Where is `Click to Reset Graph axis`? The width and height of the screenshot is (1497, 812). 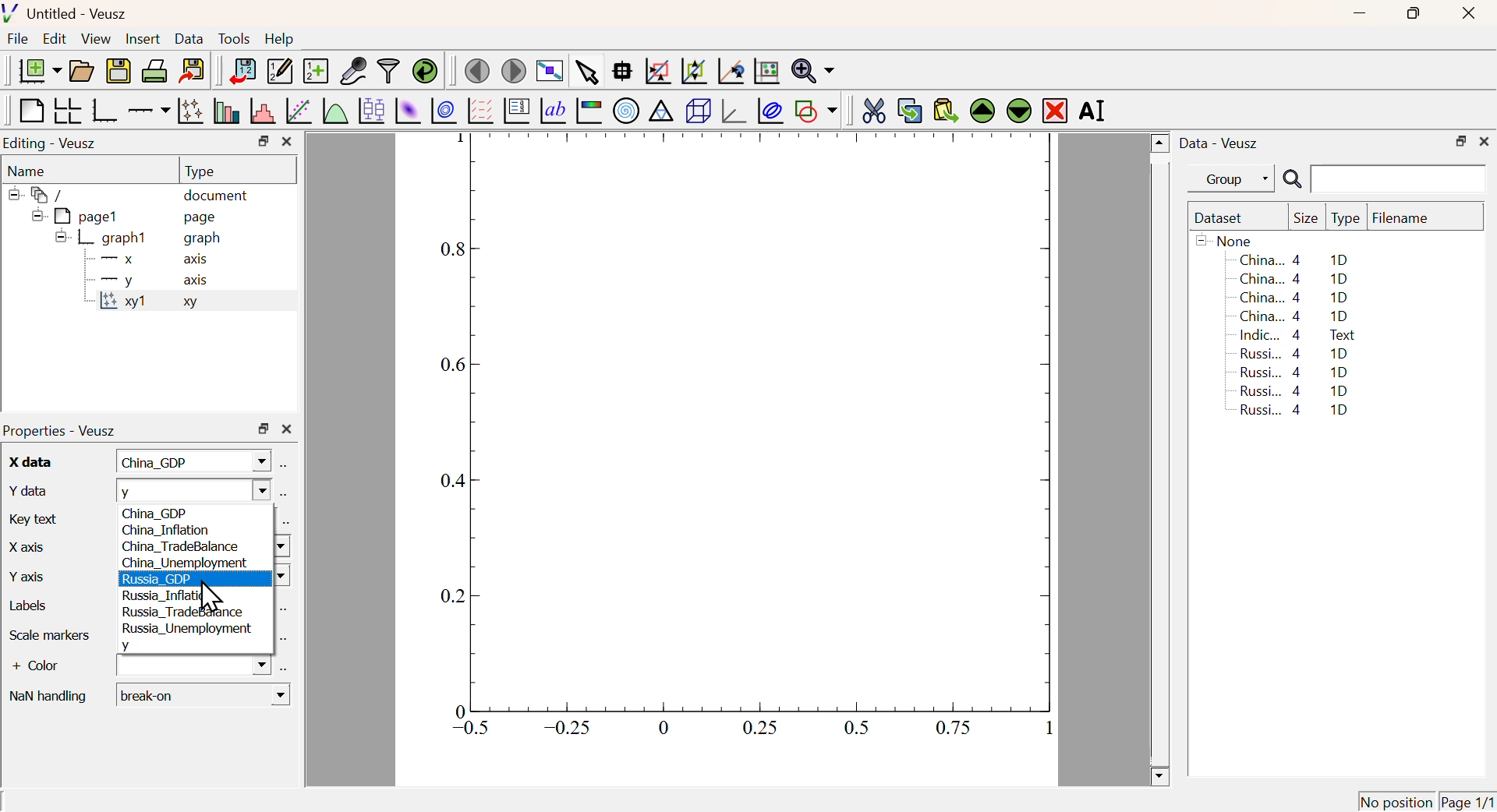
Click to Reset Graph axis is located at coordinates (766, 69).